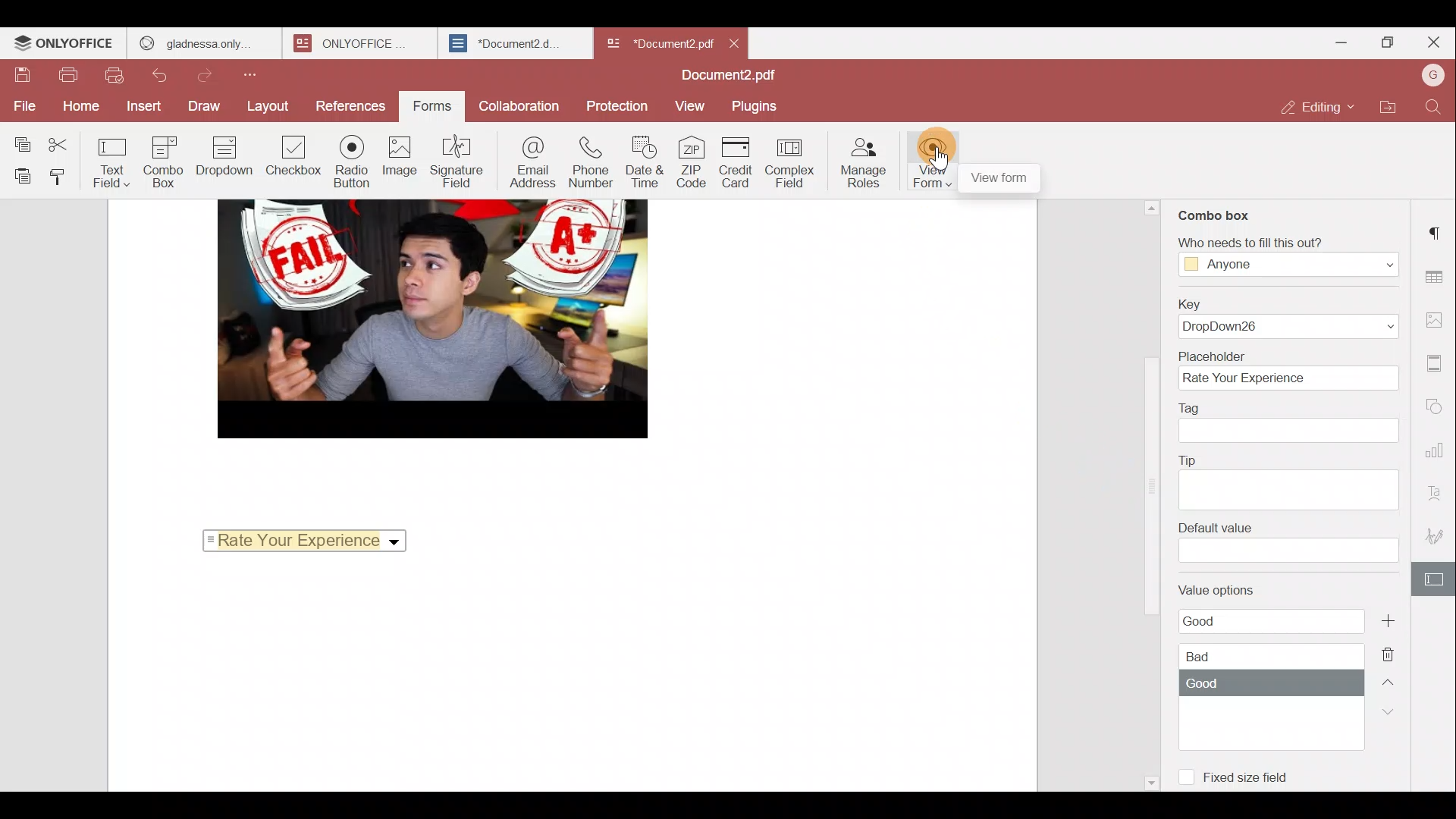  Describe the element at coordinates (1436, 364) in the screenshot. I see `Header & footer settings` at that location.